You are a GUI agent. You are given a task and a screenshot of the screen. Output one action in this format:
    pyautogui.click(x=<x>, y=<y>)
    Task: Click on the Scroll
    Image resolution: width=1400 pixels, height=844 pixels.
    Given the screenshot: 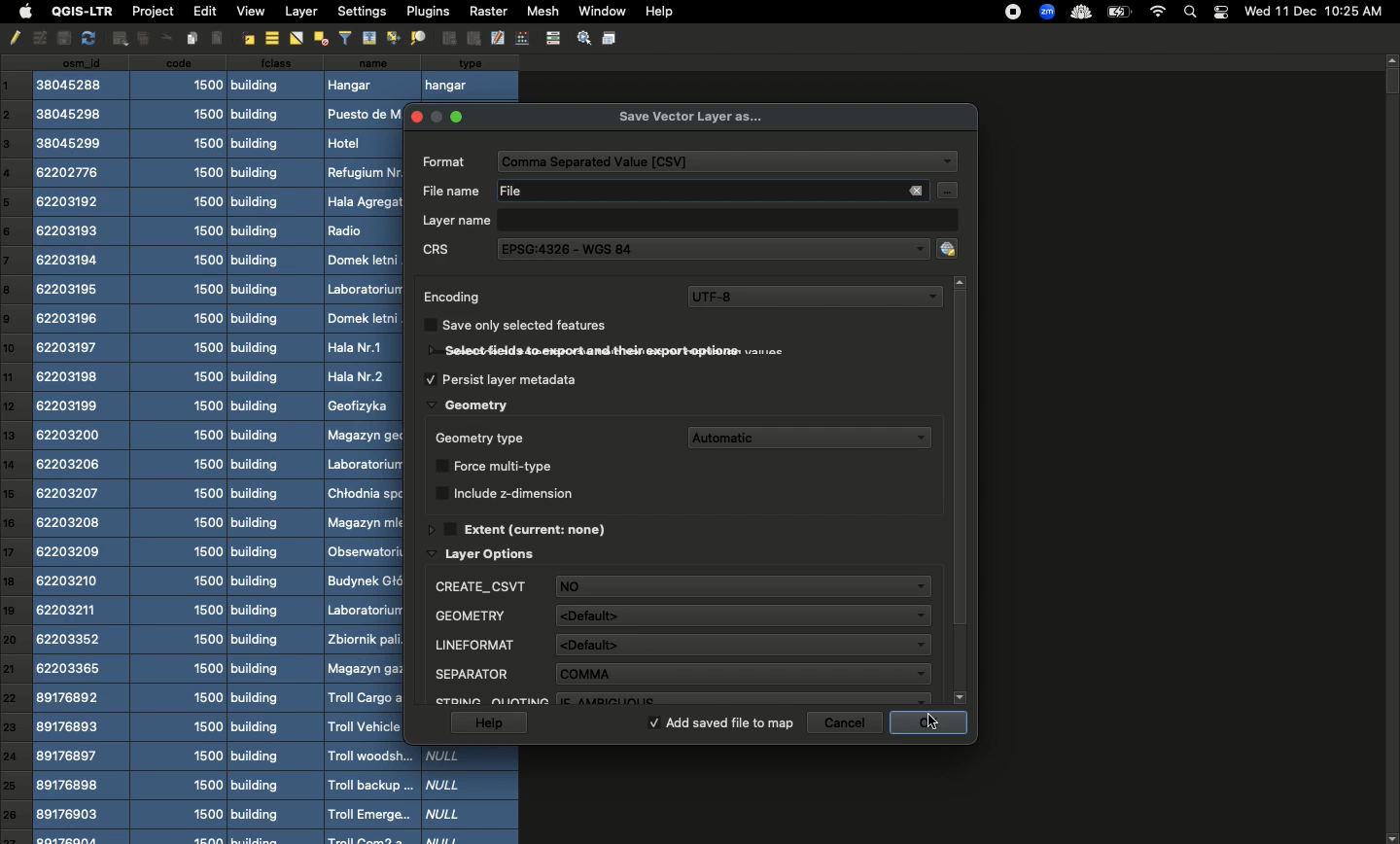 What is the action you would take?
    pyautogui.click(x=961, y=488)
    